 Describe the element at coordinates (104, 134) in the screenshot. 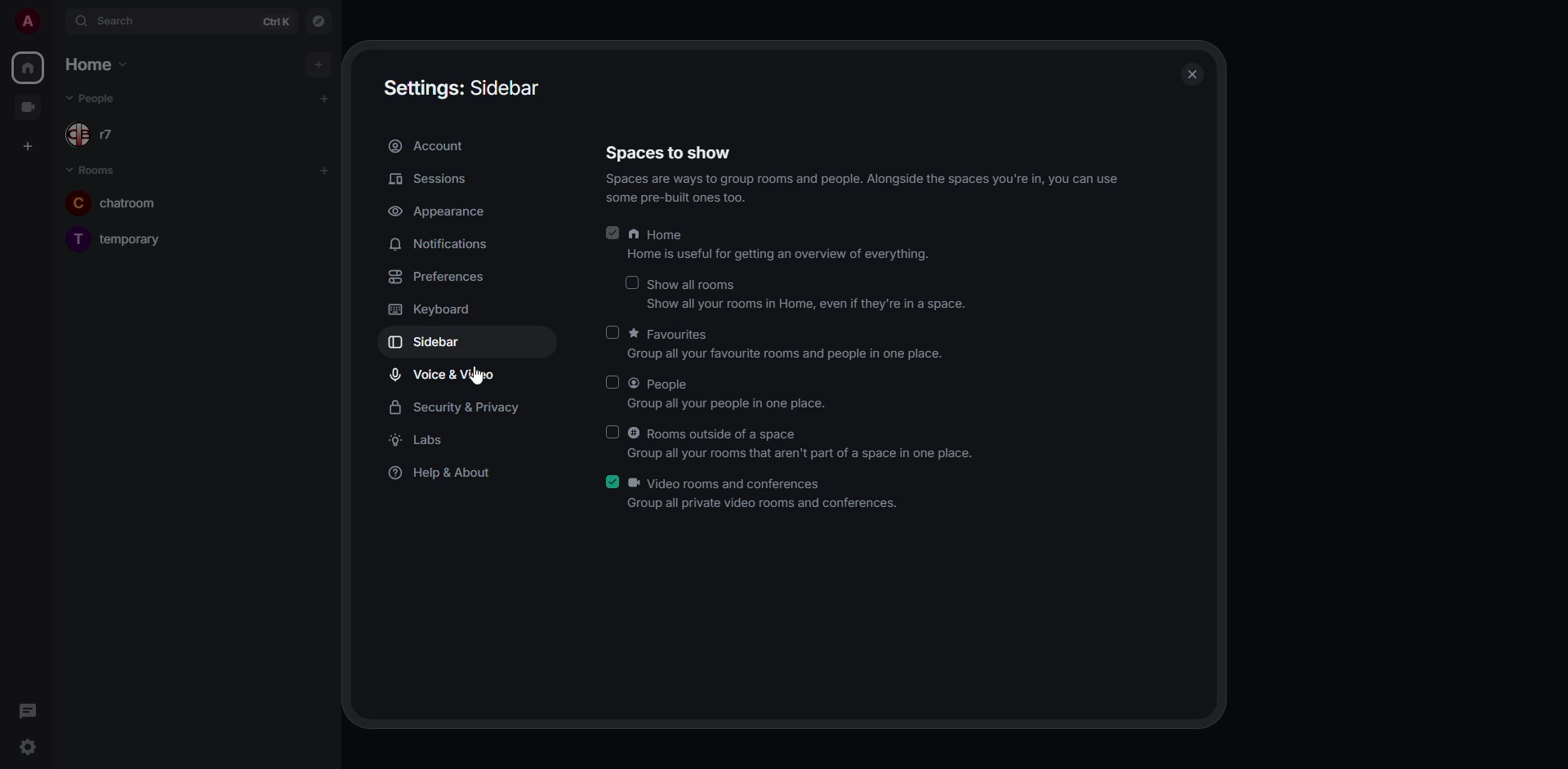

I see `people` at that location.